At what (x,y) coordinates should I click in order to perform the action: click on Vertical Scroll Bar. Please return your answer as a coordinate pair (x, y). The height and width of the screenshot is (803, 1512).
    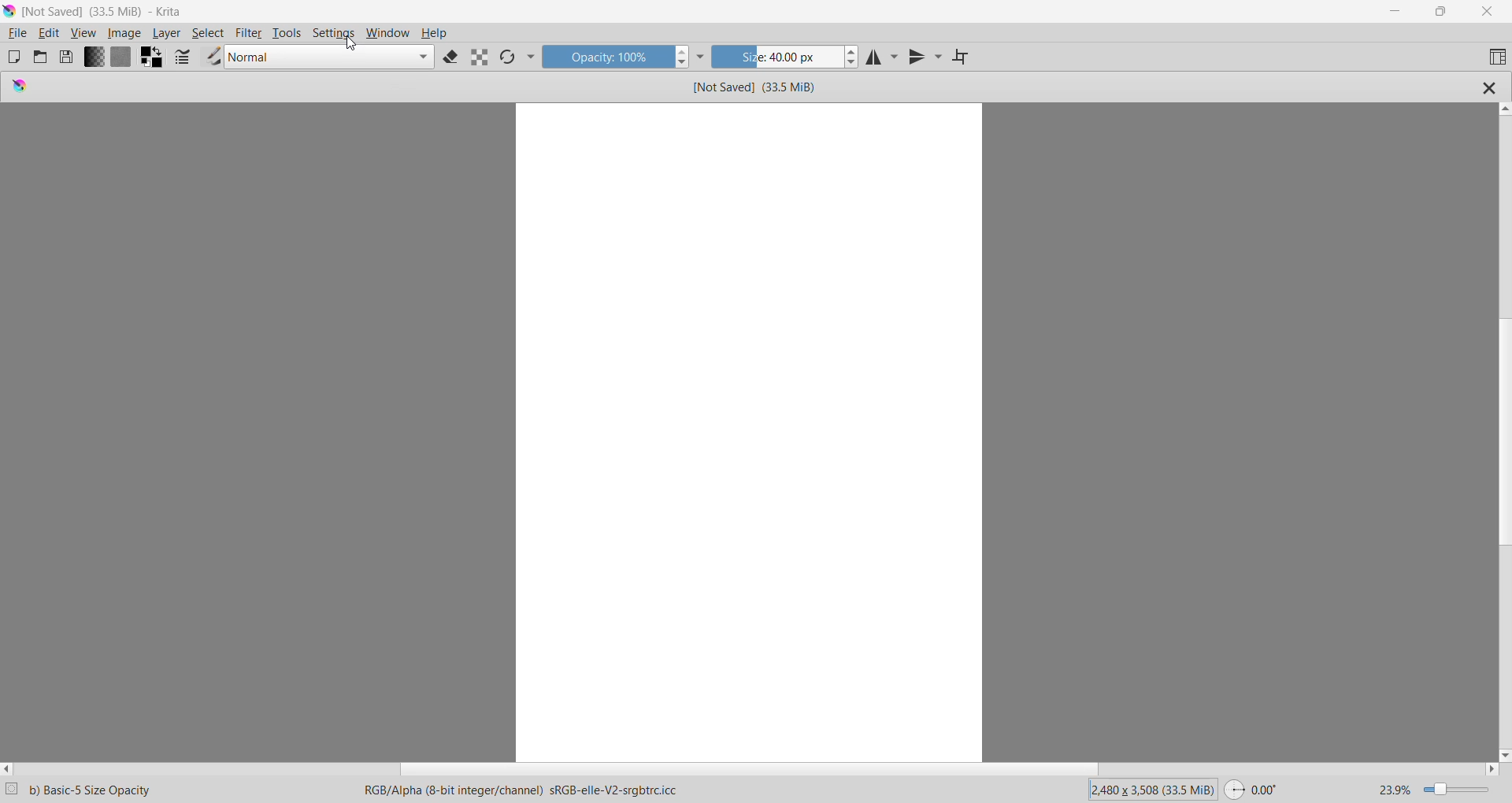
    Looking at the image, I should click on (1503, 432).